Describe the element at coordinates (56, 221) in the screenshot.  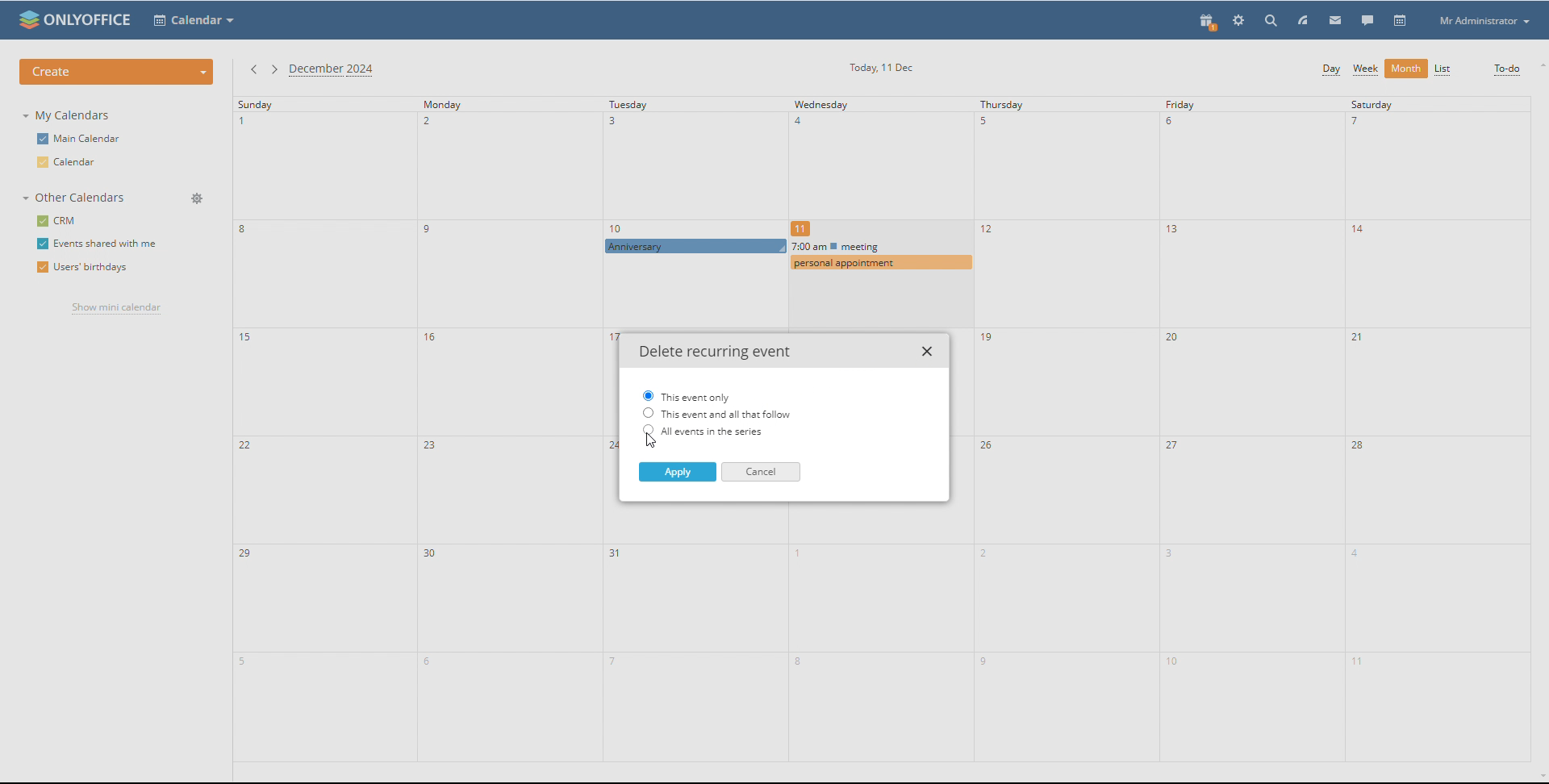
I see `crm` at that location.